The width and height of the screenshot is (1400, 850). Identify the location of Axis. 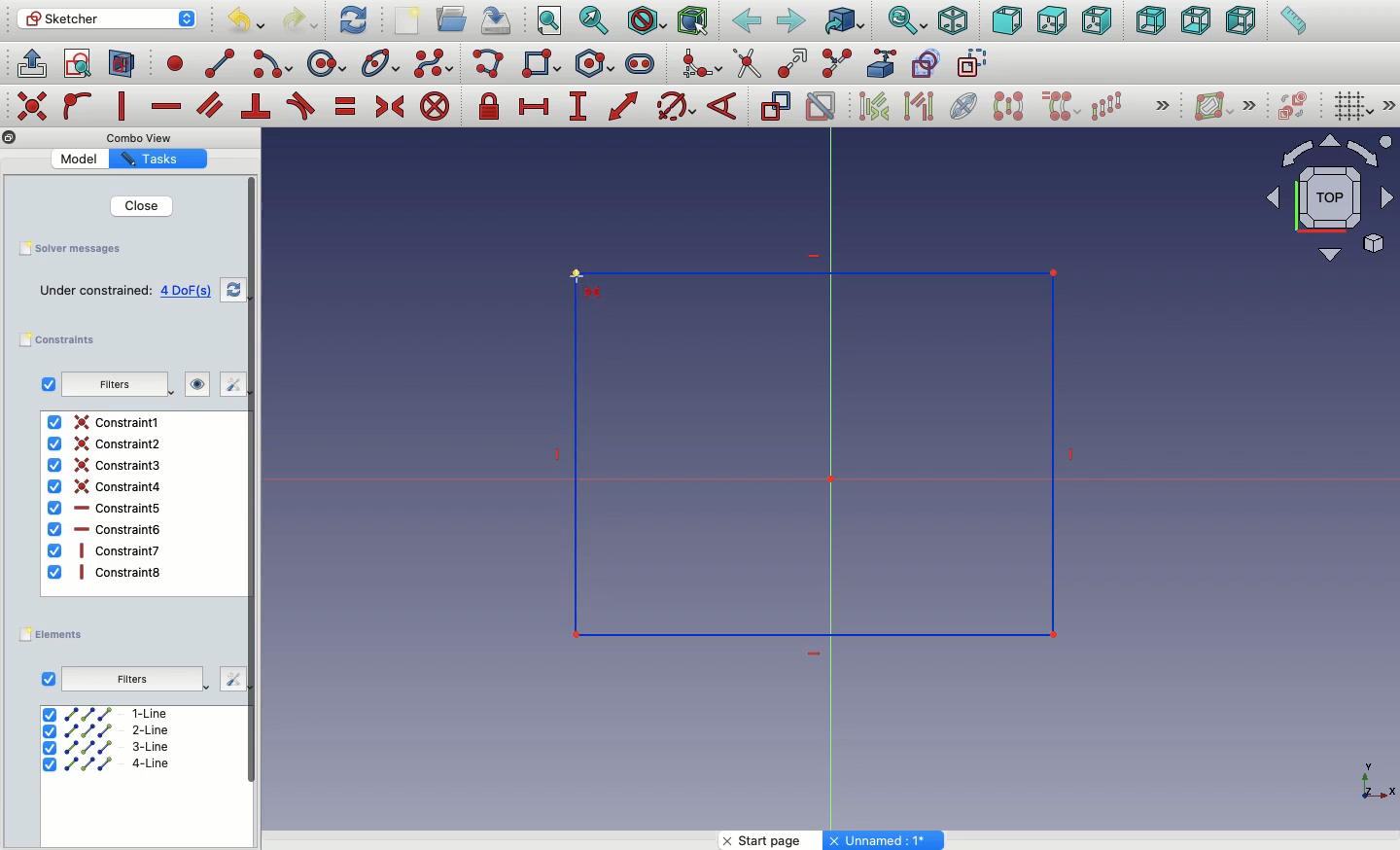
(1374, 775).